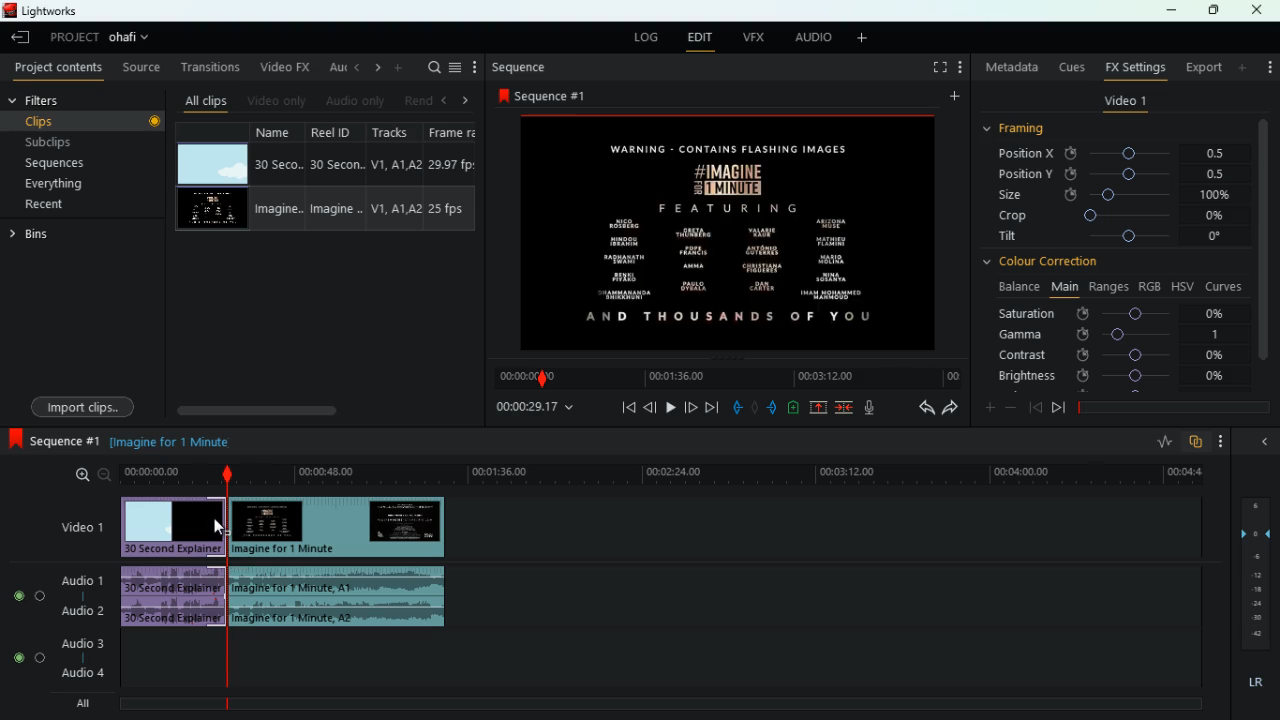 This screenshot has height=720, width=1280. I want to click on video, so click(728, 231).